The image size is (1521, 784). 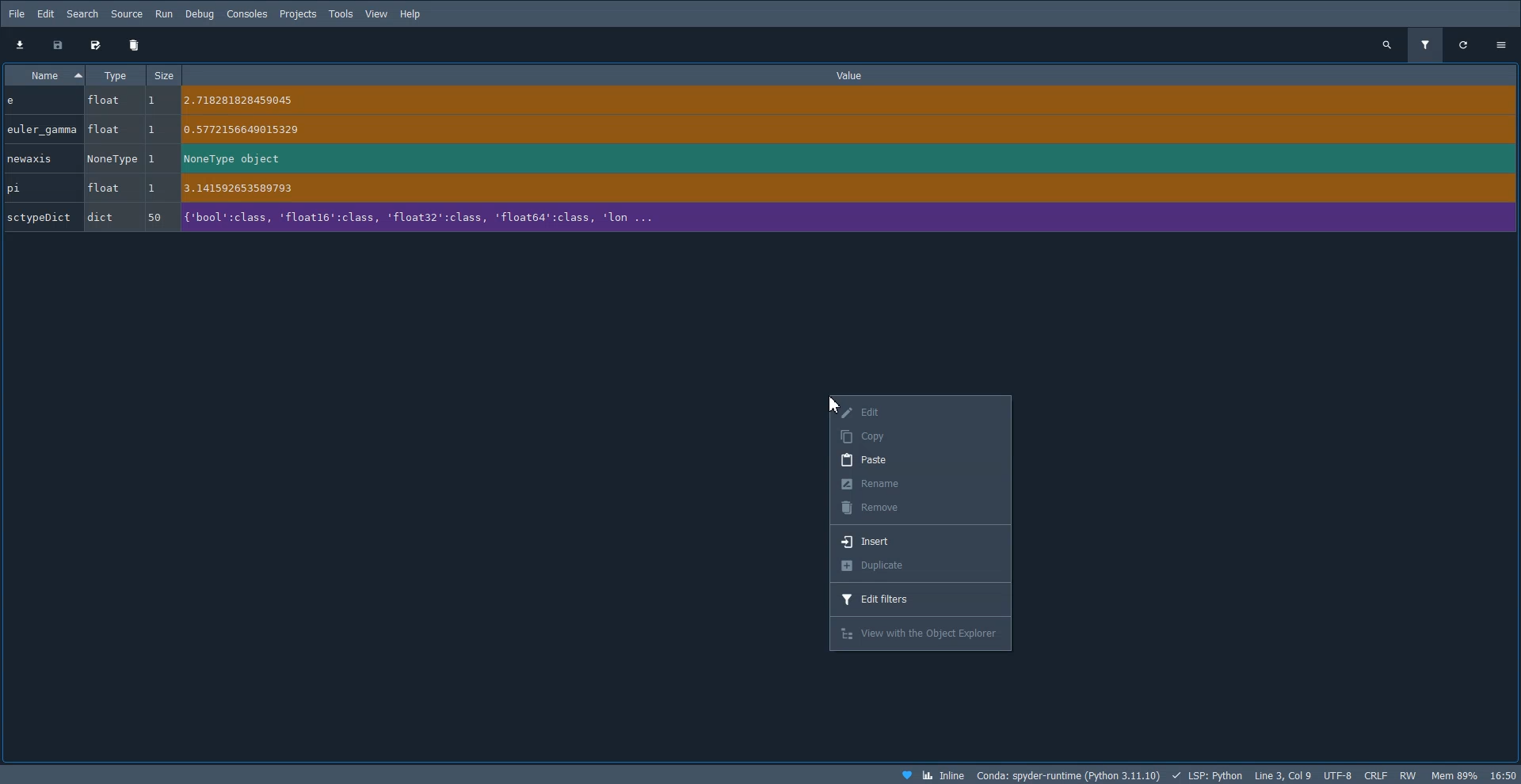 What do you see at coordinates (164, 13) in the screenshot?
I see `Run` at bounding box center [164, 13].